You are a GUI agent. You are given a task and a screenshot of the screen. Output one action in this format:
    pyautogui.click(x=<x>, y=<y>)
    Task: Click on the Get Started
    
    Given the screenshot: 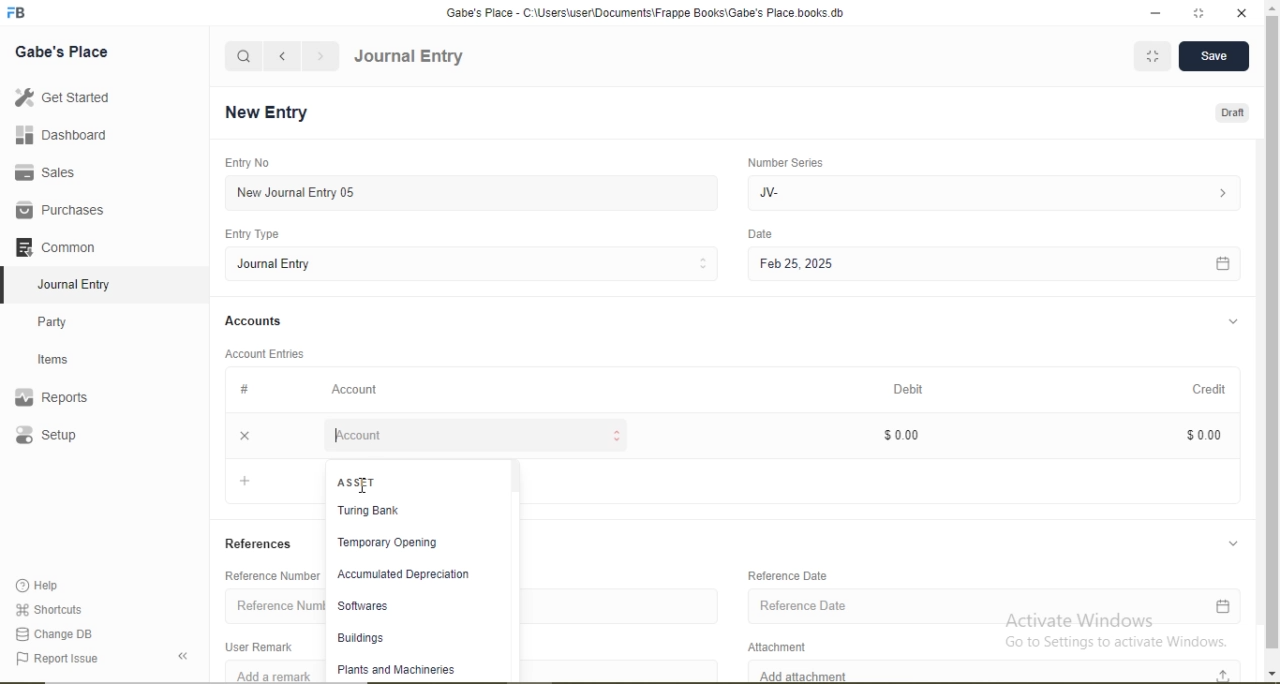 What is the action you would take?
    pyautogui.click(x=60, y=97)
    